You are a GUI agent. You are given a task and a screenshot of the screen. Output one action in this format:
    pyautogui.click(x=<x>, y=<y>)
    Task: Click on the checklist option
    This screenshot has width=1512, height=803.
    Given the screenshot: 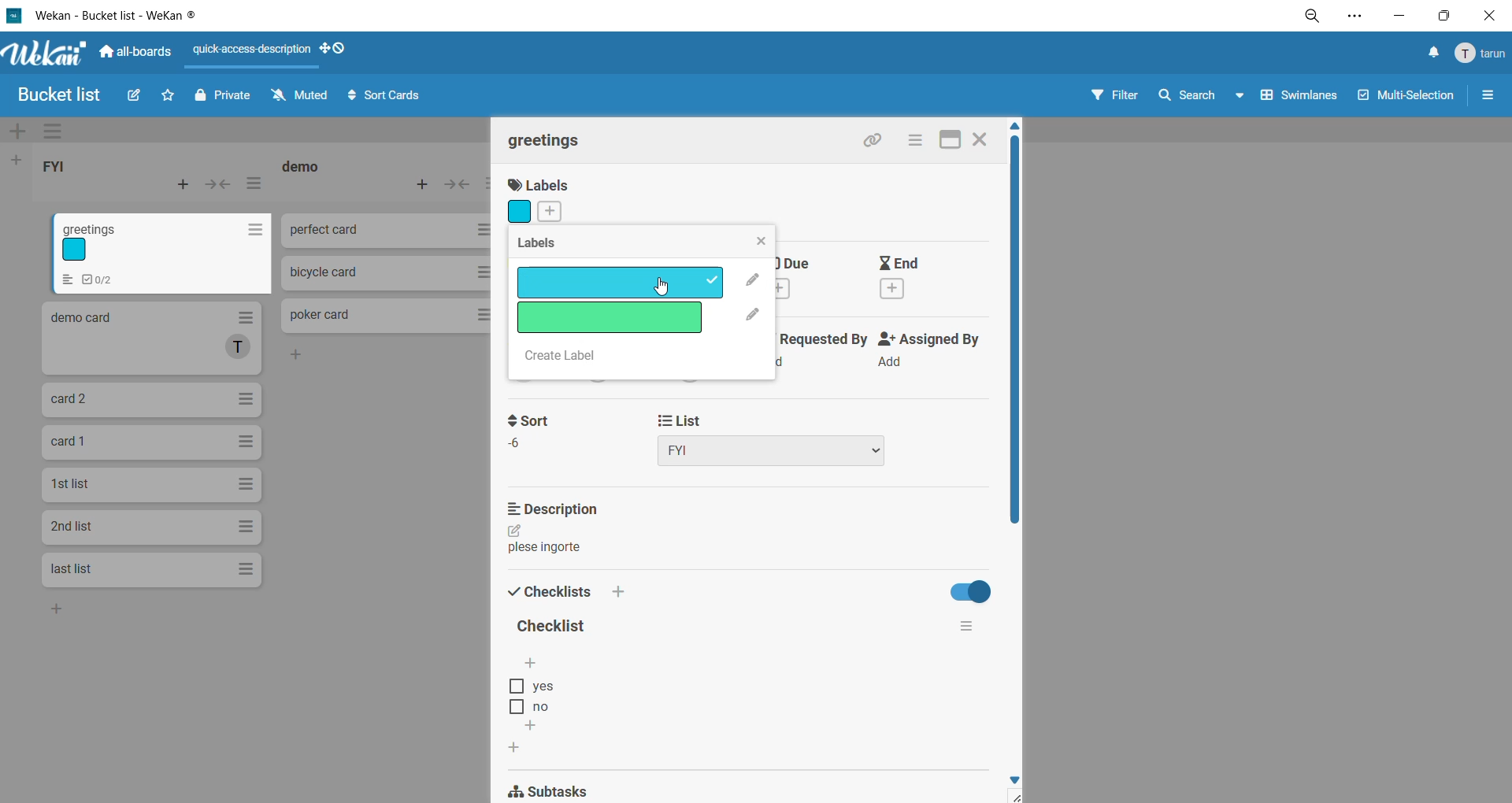 What is the action you would take?
    pyautogui.click(x=532, y=686)
    